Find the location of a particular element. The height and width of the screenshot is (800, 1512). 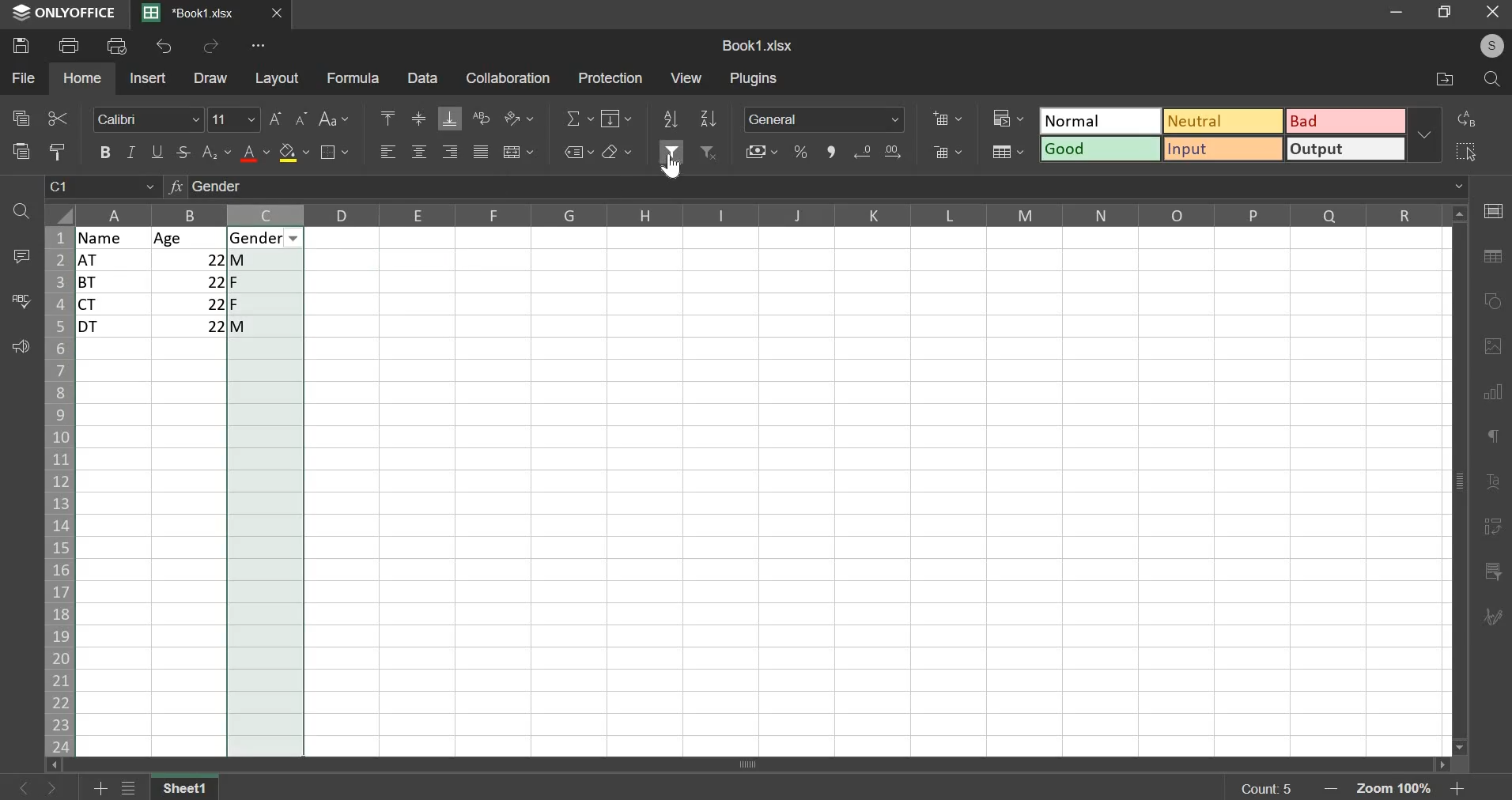

sum is located at coordinates (581, 118).